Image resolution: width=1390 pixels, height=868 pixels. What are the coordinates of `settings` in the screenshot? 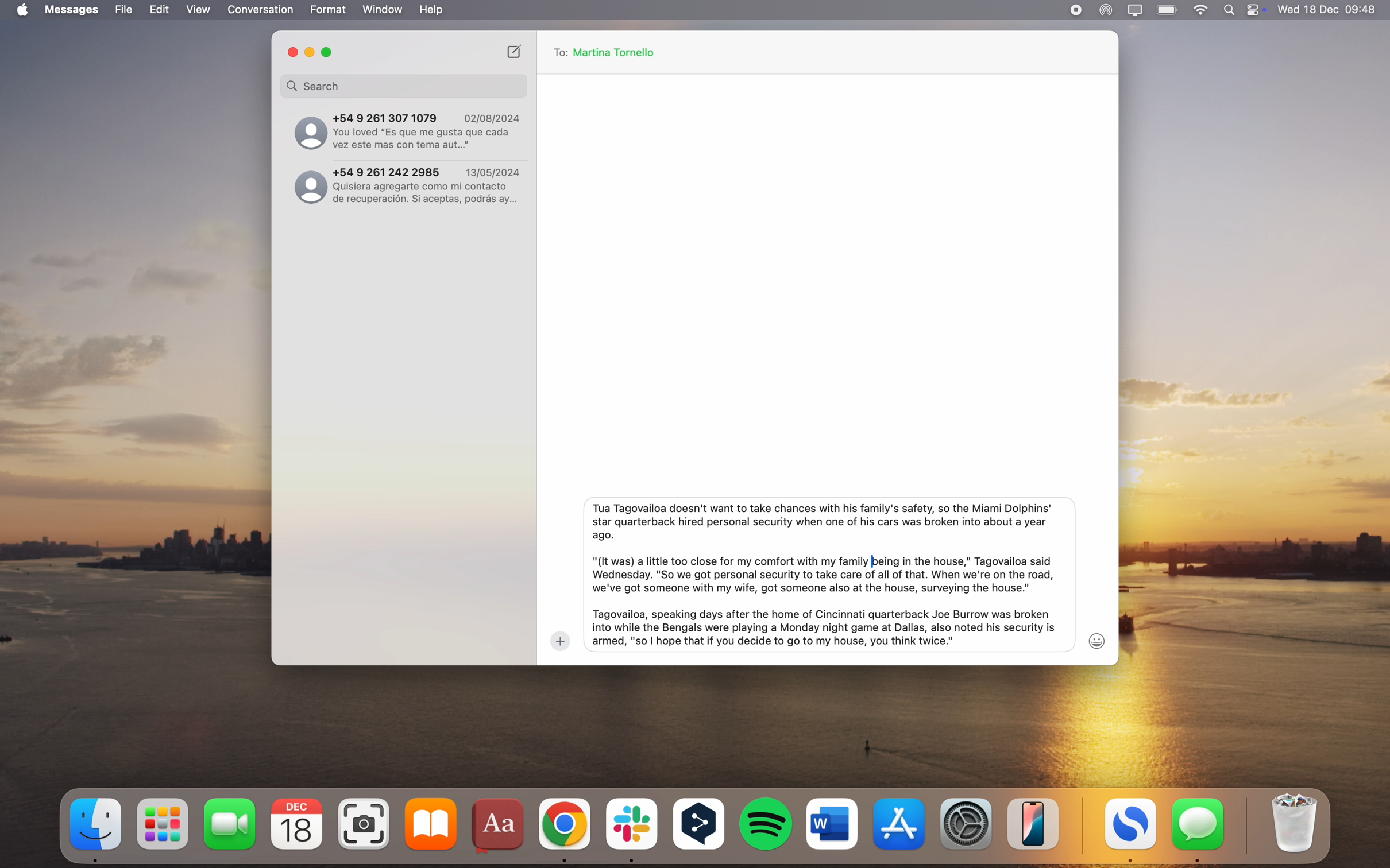 It's located at (968, 822).